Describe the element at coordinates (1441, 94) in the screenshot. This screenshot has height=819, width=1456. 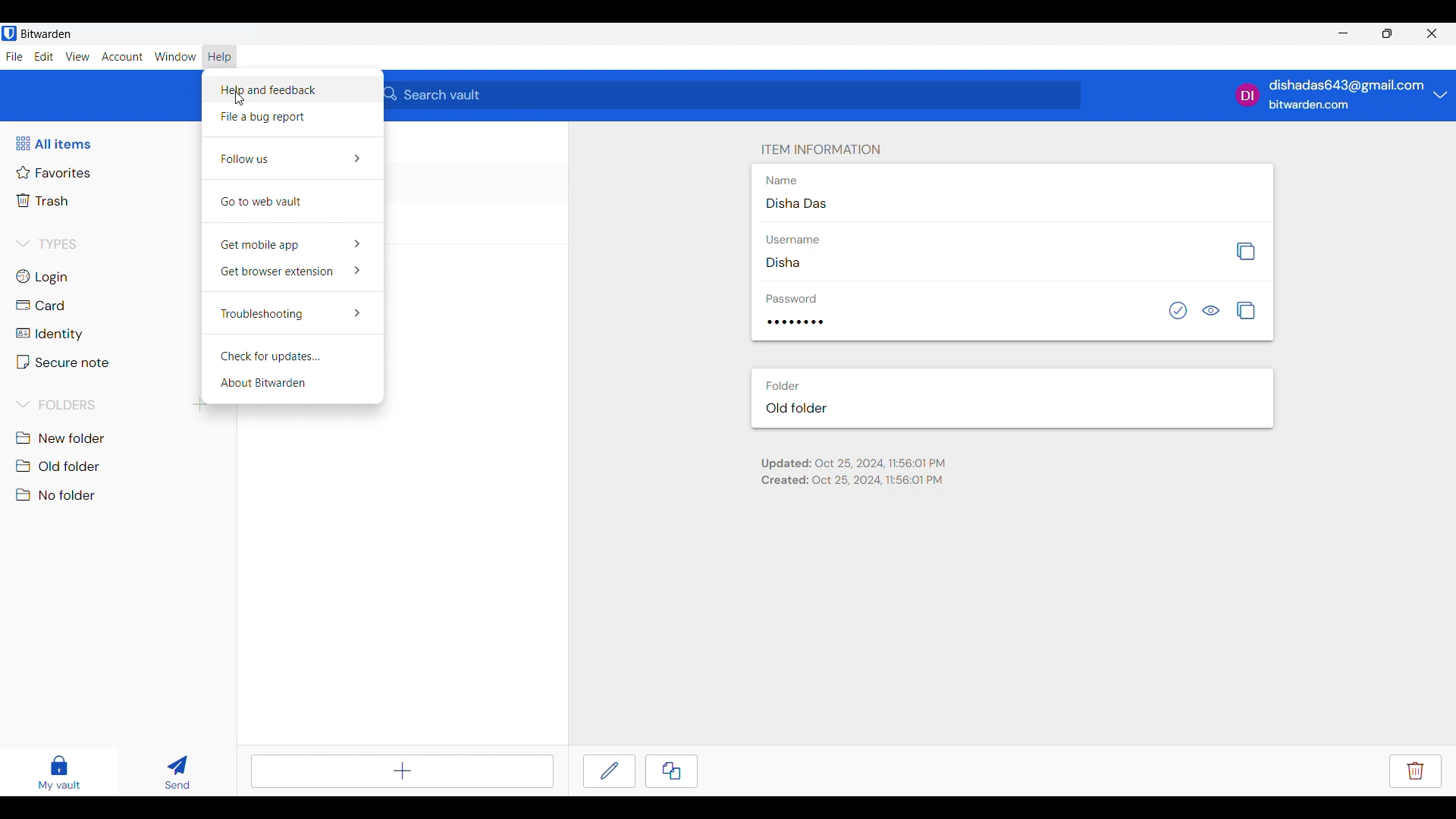
I see `Current account details` at that location.